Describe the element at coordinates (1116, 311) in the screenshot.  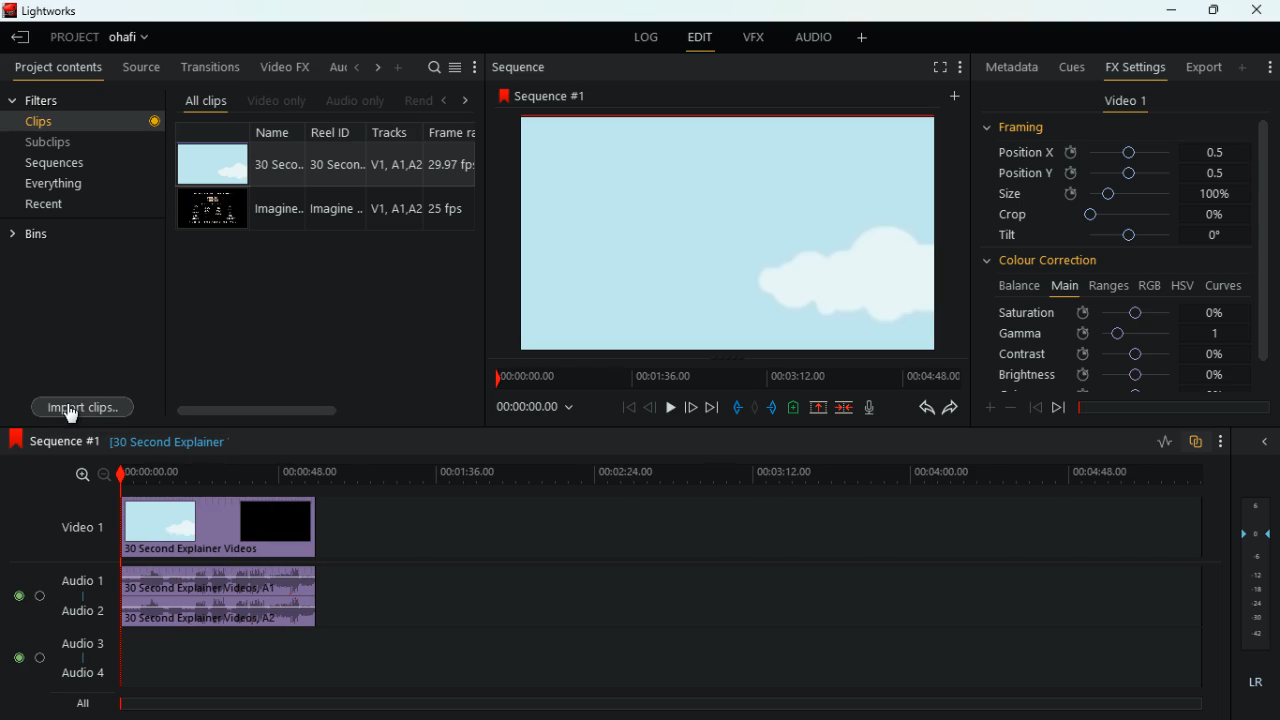
I see `saturation` at that location.